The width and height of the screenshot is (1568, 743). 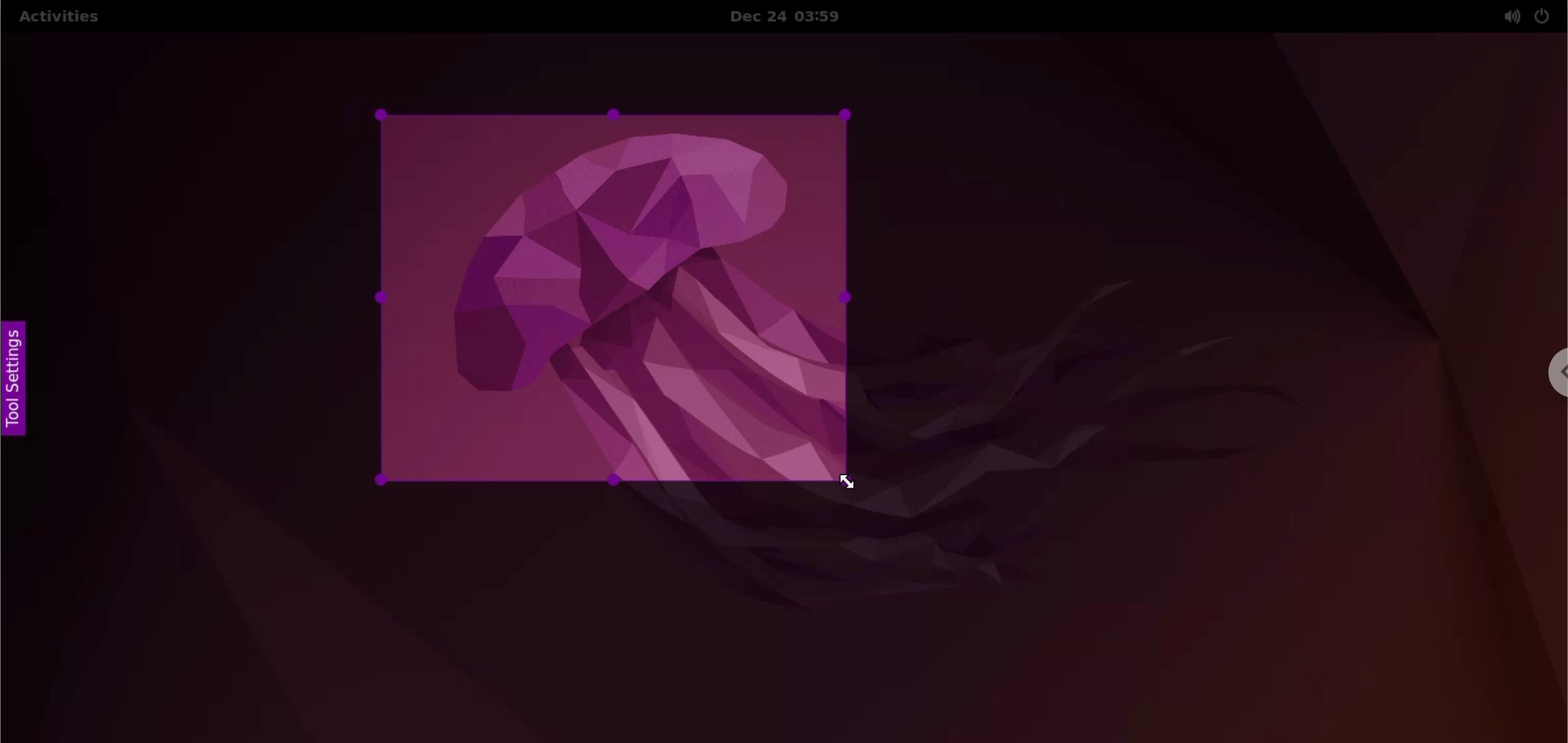 What do you see at coordinates (844, 483) in the screenshot?
I see `cursor ` at bounding box center [844, 483].